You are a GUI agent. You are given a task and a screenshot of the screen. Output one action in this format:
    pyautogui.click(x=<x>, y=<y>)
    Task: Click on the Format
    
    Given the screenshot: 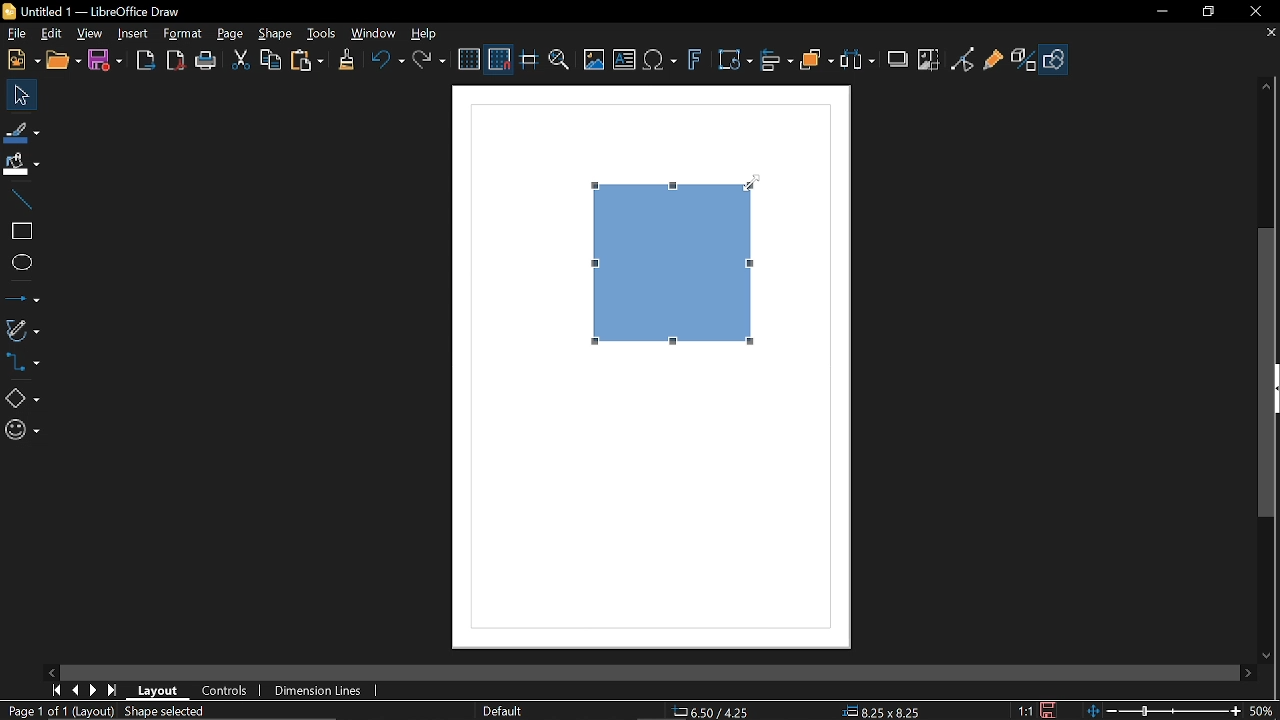 What is the action you would take?
    pyautogui.click(x=182, y=33)
    